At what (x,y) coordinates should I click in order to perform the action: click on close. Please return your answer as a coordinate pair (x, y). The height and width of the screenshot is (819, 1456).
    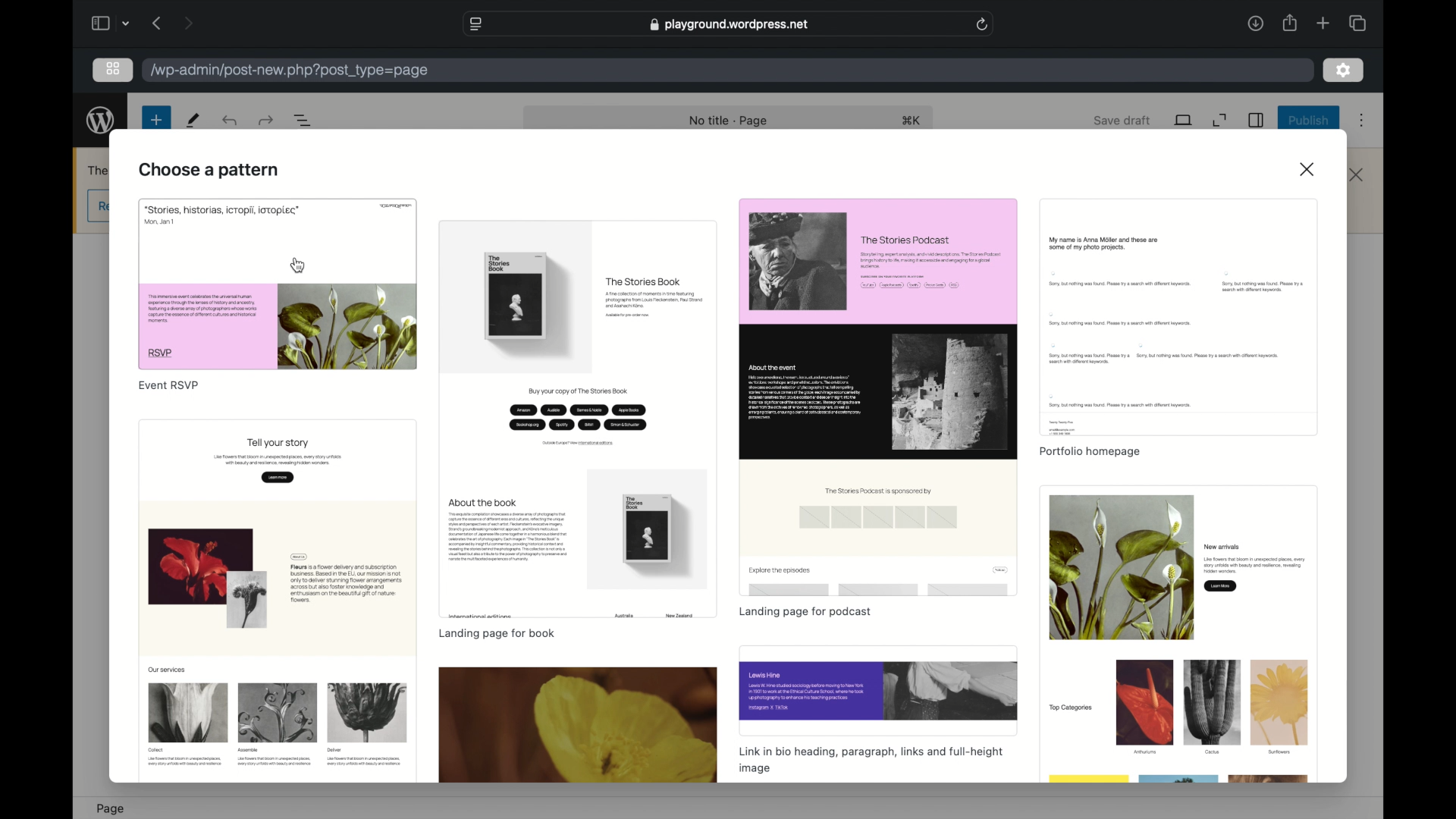
    Looking at the image, I should click on (1357, 174).